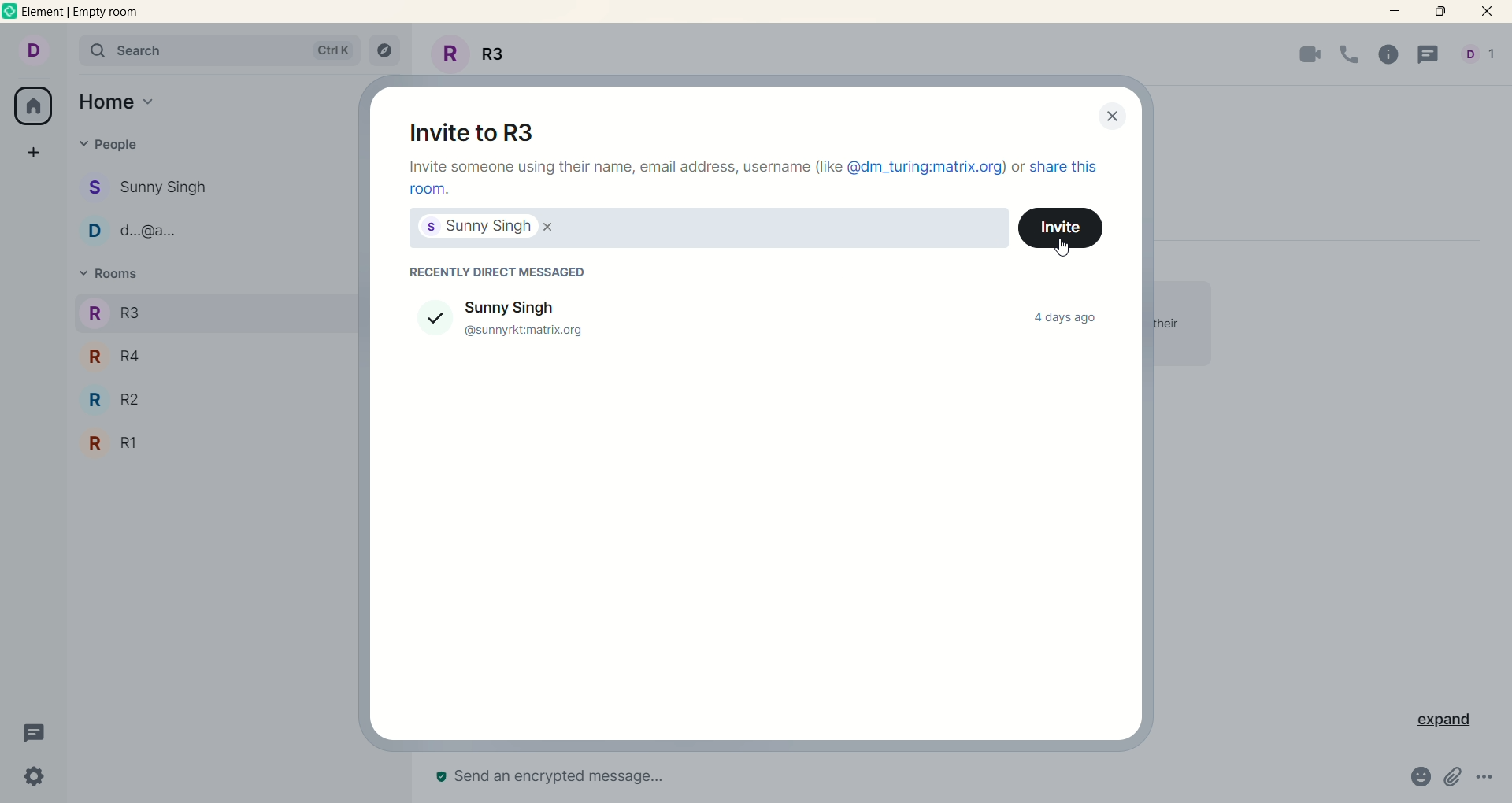 The height and width of the screenshot is (803, 1512). I want to click on settings, so click(37, 776).